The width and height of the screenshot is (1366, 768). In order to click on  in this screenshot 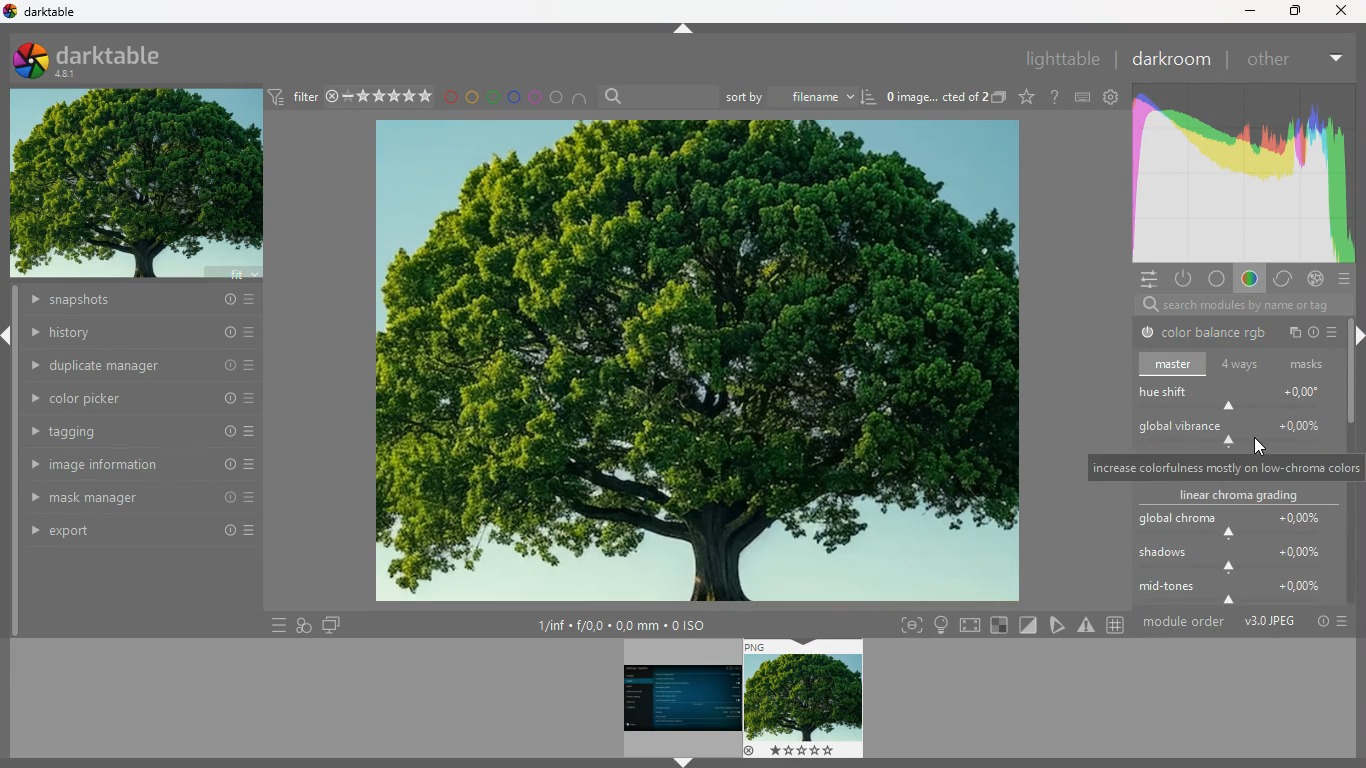, I will do `click(1341, 11)`.